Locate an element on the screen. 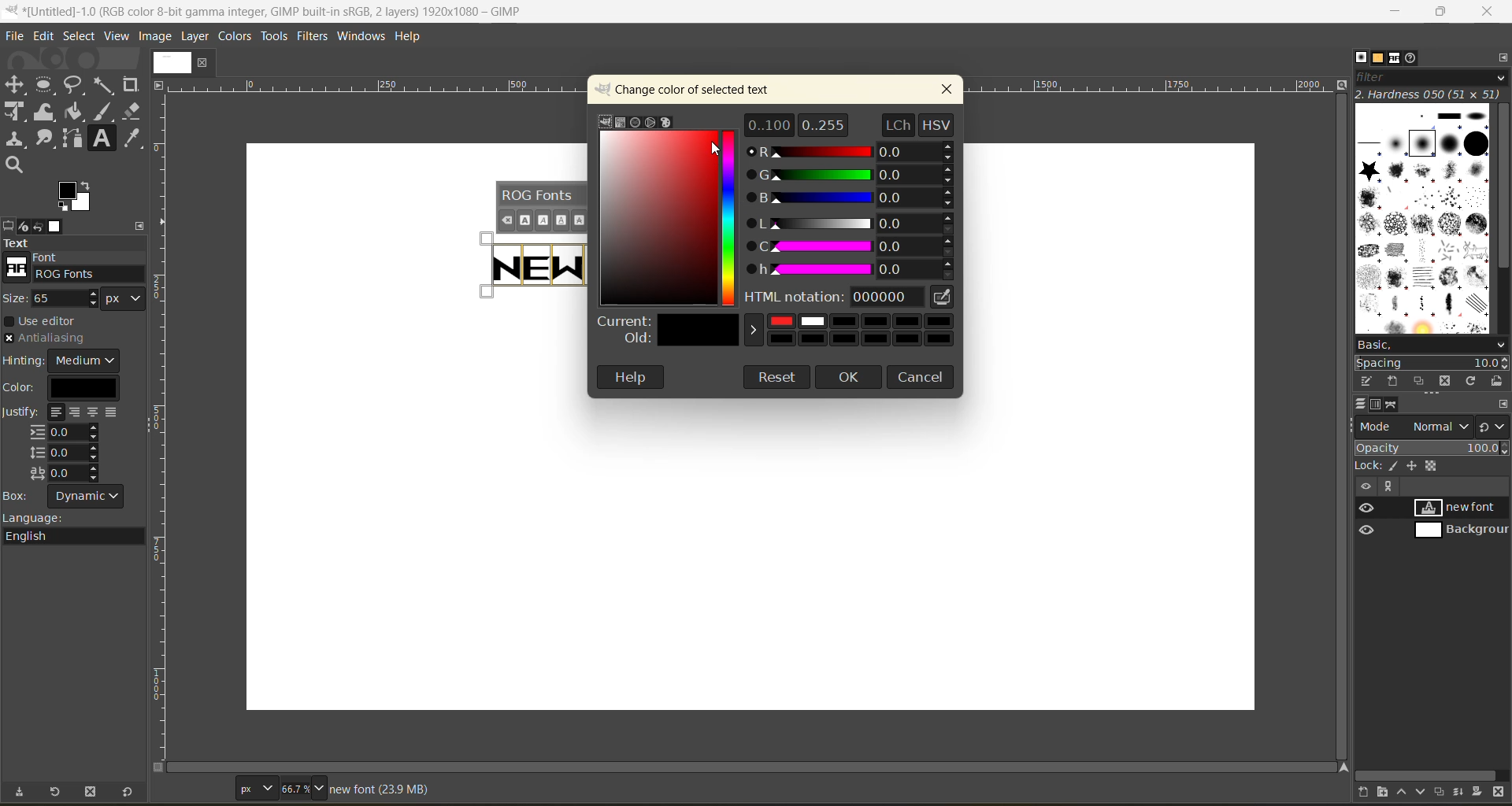 The image size is (1512, 806). justify is located at coordinates (65, 445).